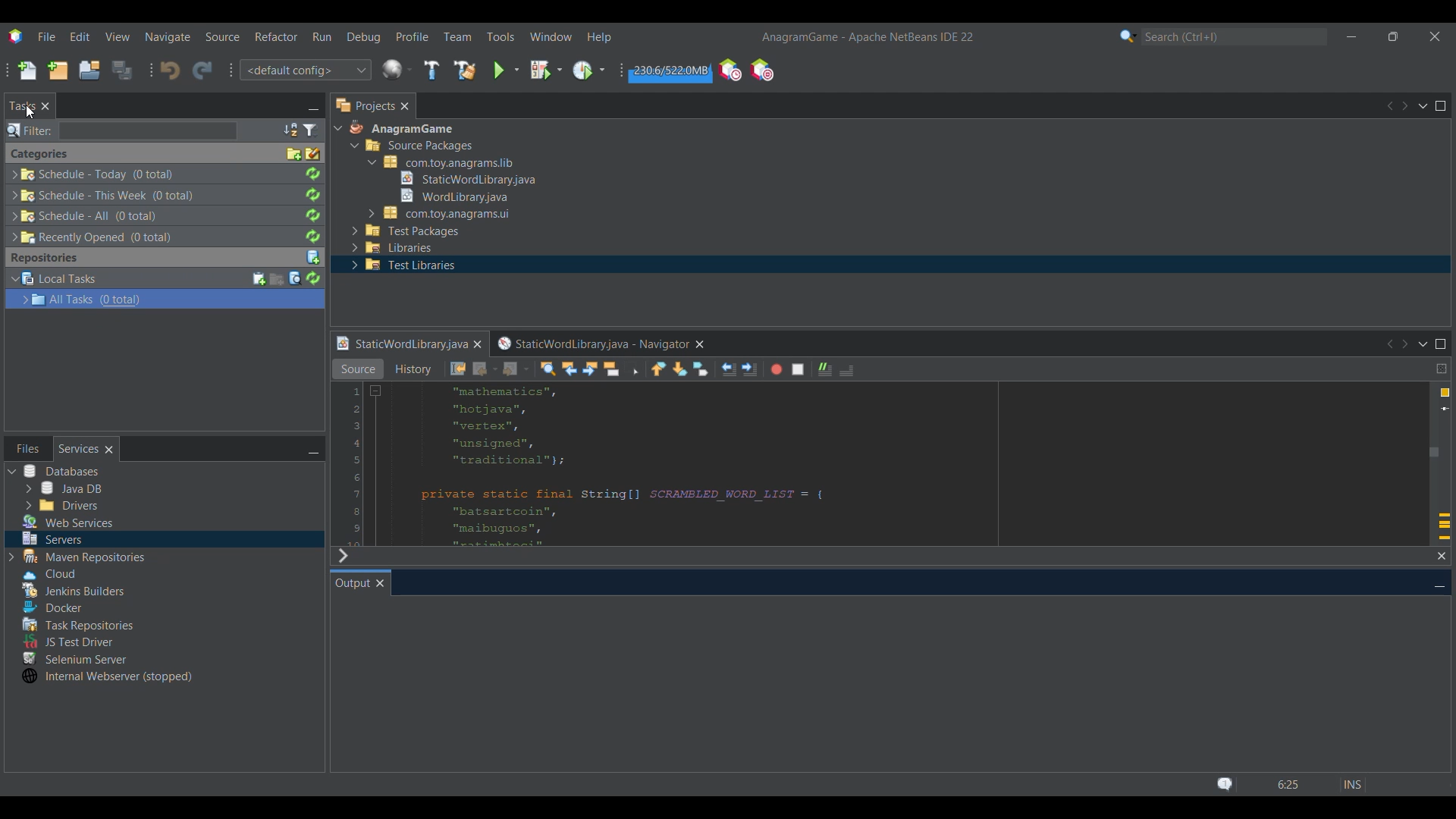 Image resolution: width=1456 pixels, height=819 pixels. Describe the element at coordinates (105, 194) in the screenshot. I see `` at that location.